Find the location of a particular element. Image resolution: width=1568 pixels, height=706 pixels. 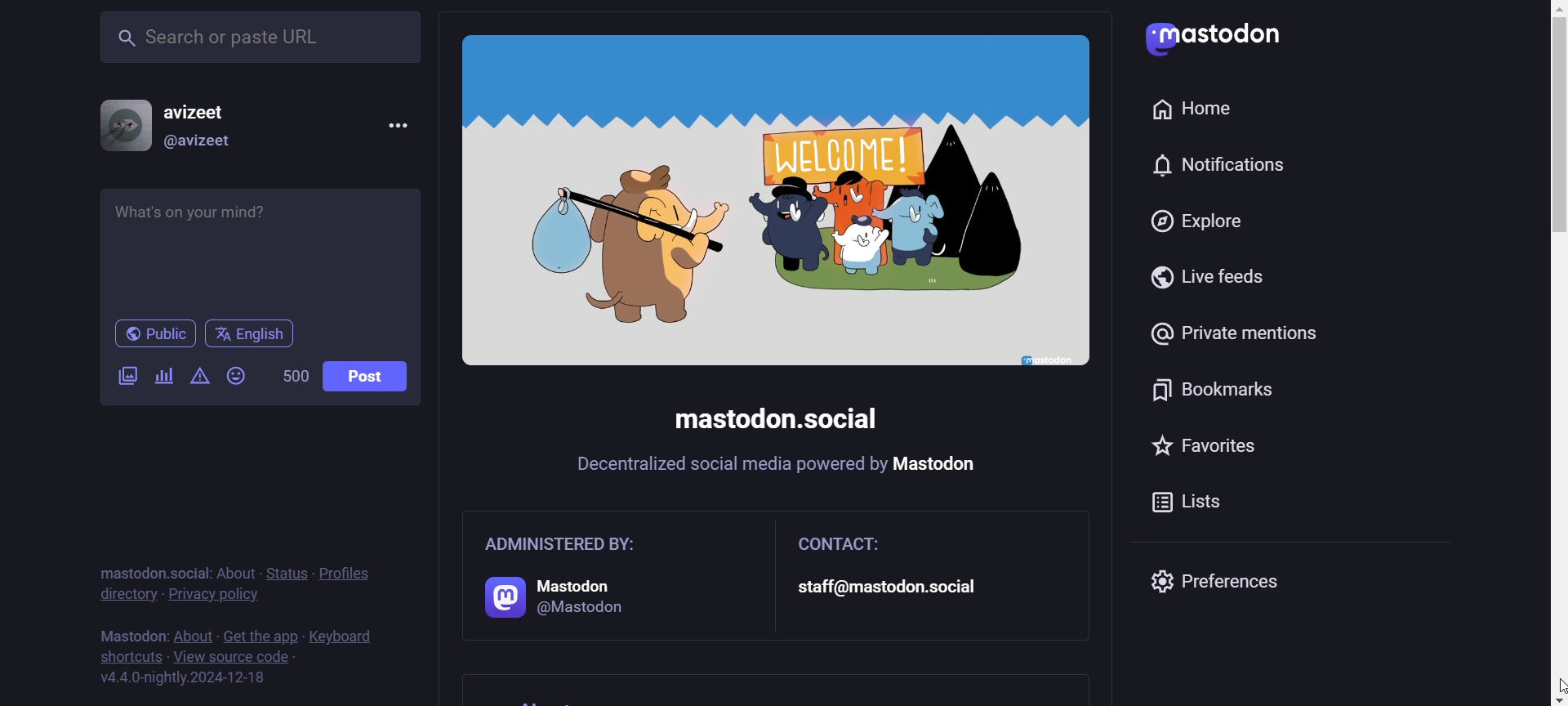

CONTACT: is located at coordinates (839, 544).